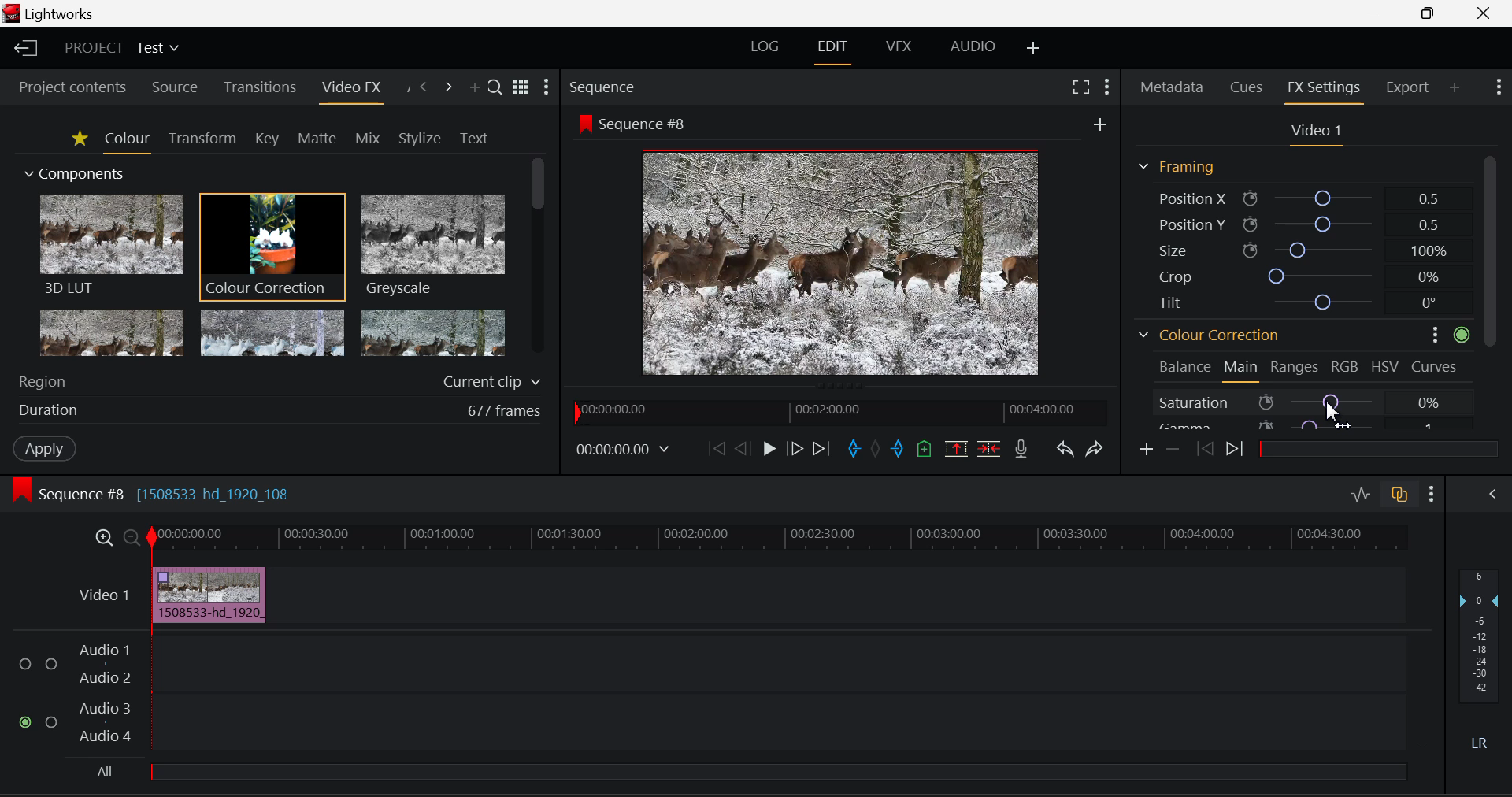  What do you see at coordinates (46, 448) in the screenshot?
I see `Apply` at bounding box center [46, 448].